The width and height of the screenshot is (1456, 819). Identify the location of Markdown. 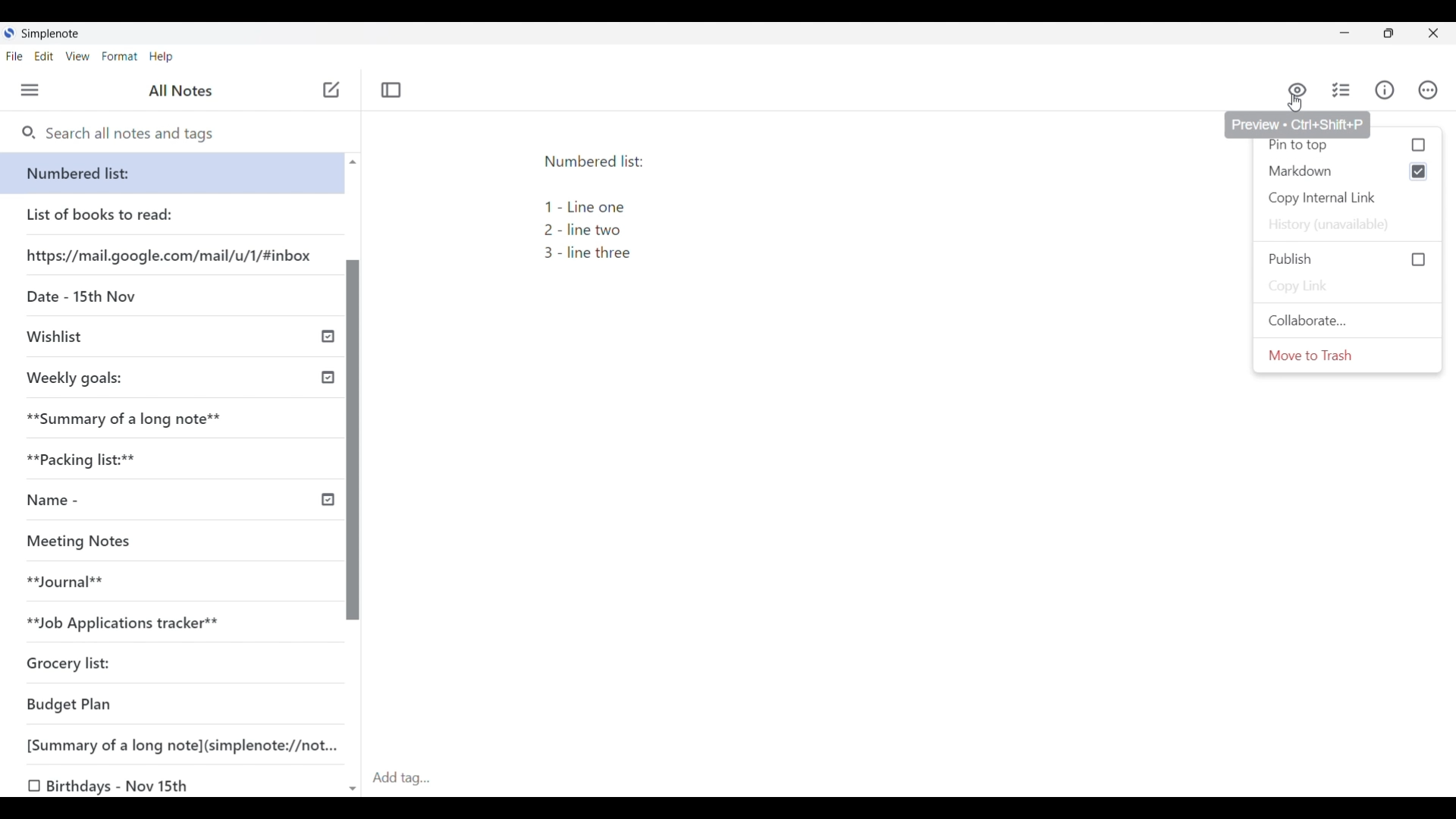
(1313, 172).